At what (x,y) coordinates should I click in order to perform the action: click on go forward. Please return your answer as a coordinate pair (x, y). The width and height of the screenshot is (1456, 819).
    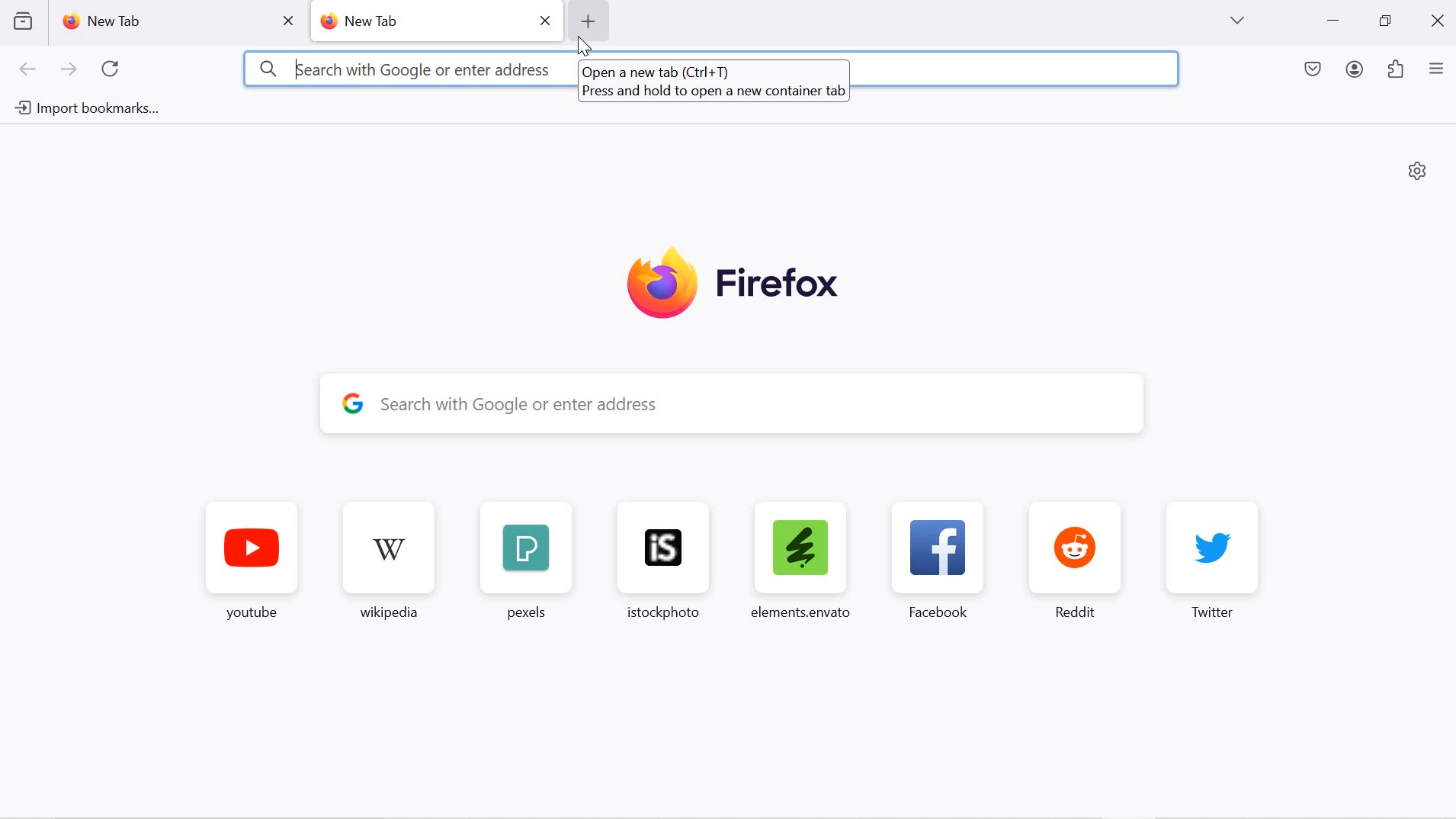
    Looking at the image, I should click on (69, 69).